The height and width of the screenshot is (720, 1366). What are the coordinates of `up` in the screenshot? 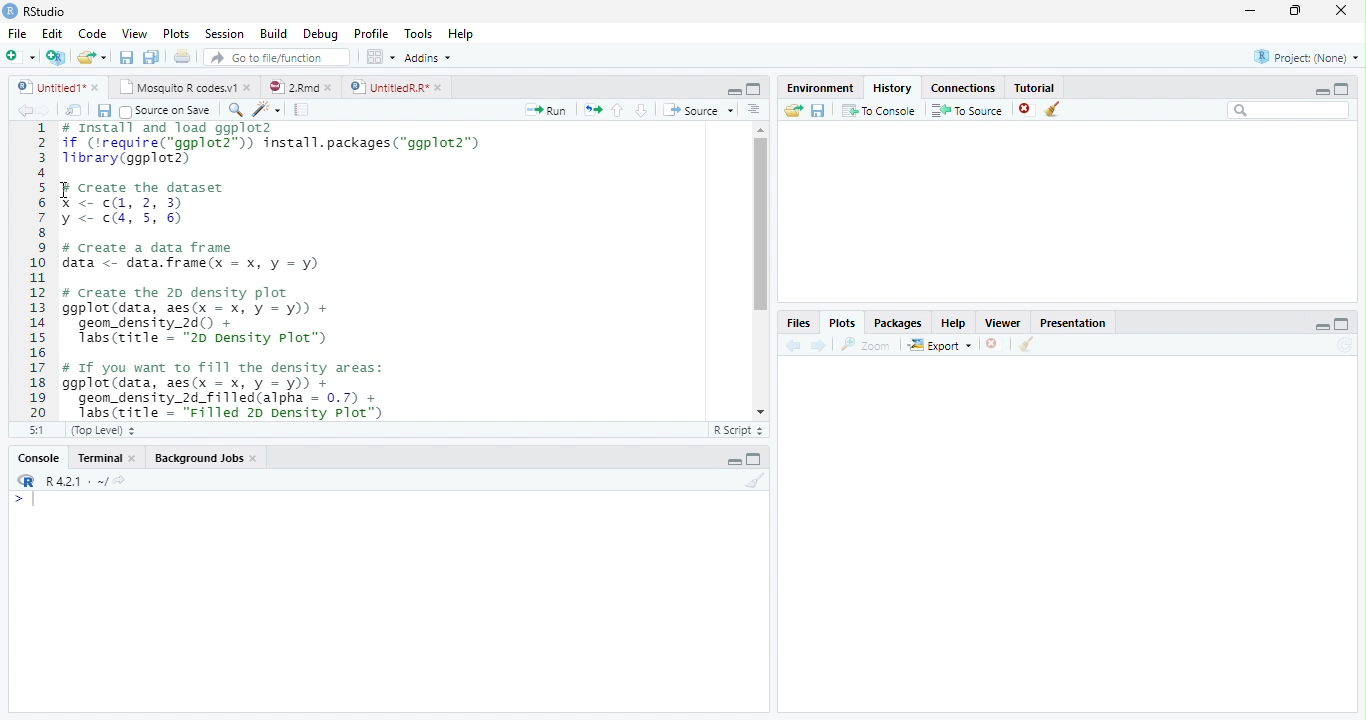 It's located at (618, 110).